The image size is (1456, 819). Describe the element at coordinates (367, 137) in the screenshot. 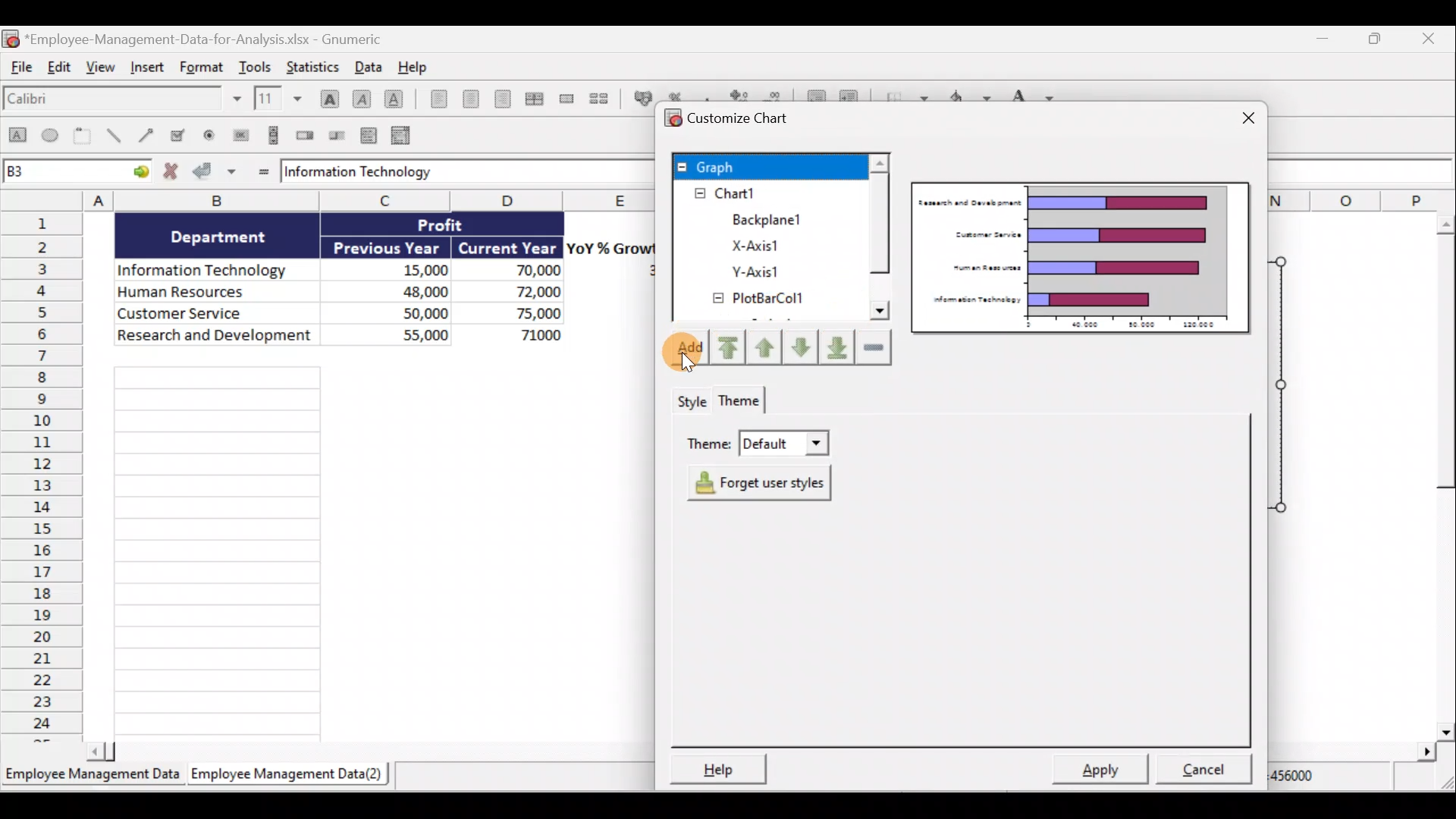

I see `Create a list` at that location.